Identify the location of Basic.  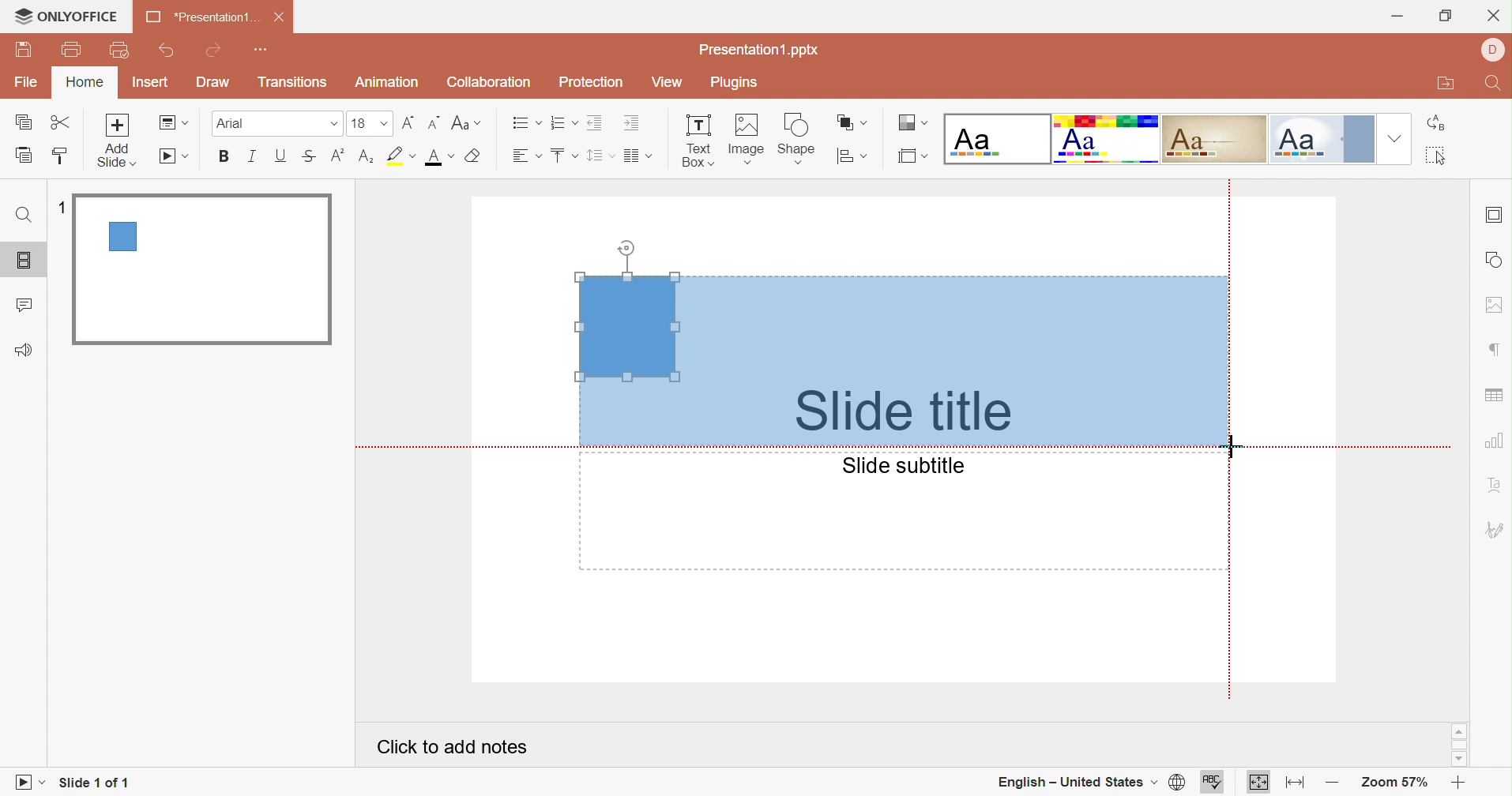
(1107, 139).